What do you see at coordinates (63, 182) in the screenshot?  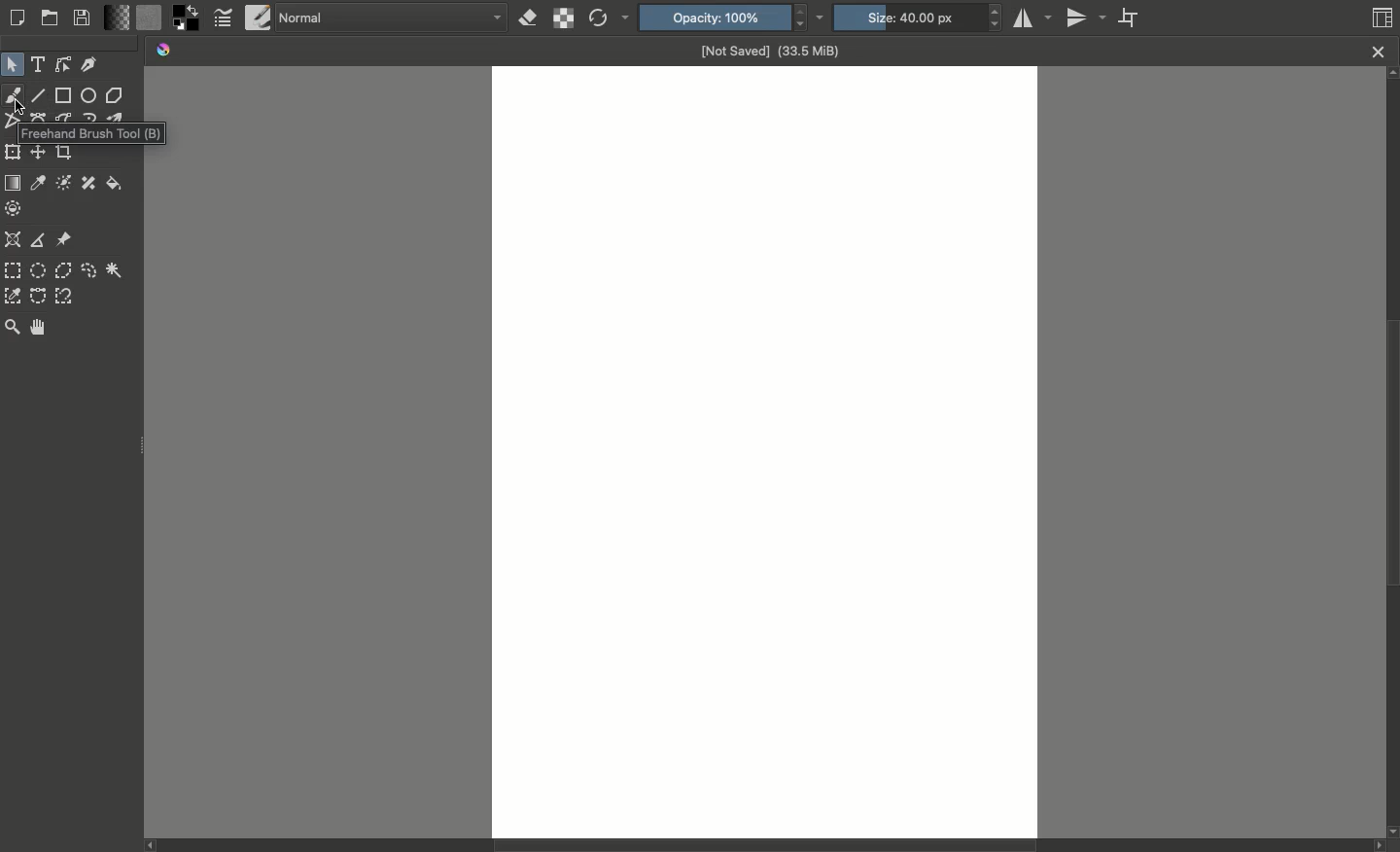 I see `Colorize mark tool` at bounding box center [63, 182].